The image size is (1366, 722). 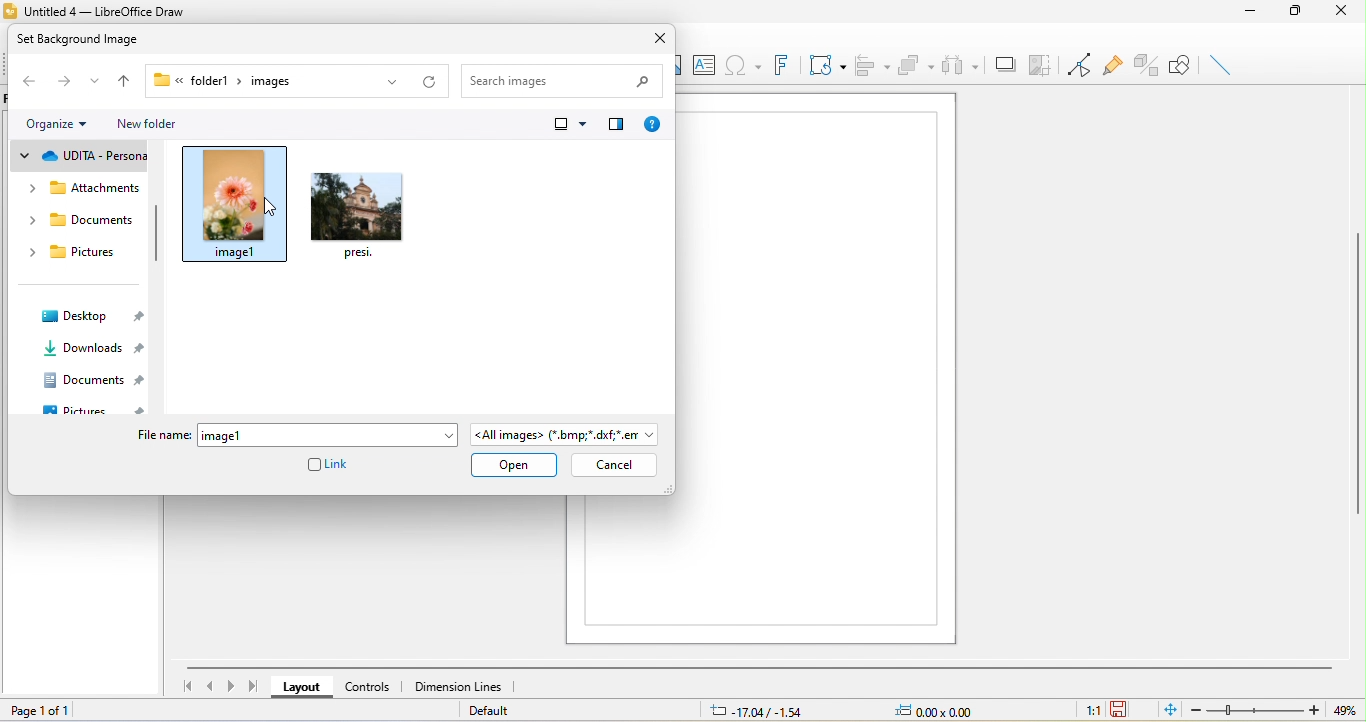 I want to click on previous page, so click(x=206, y=686).